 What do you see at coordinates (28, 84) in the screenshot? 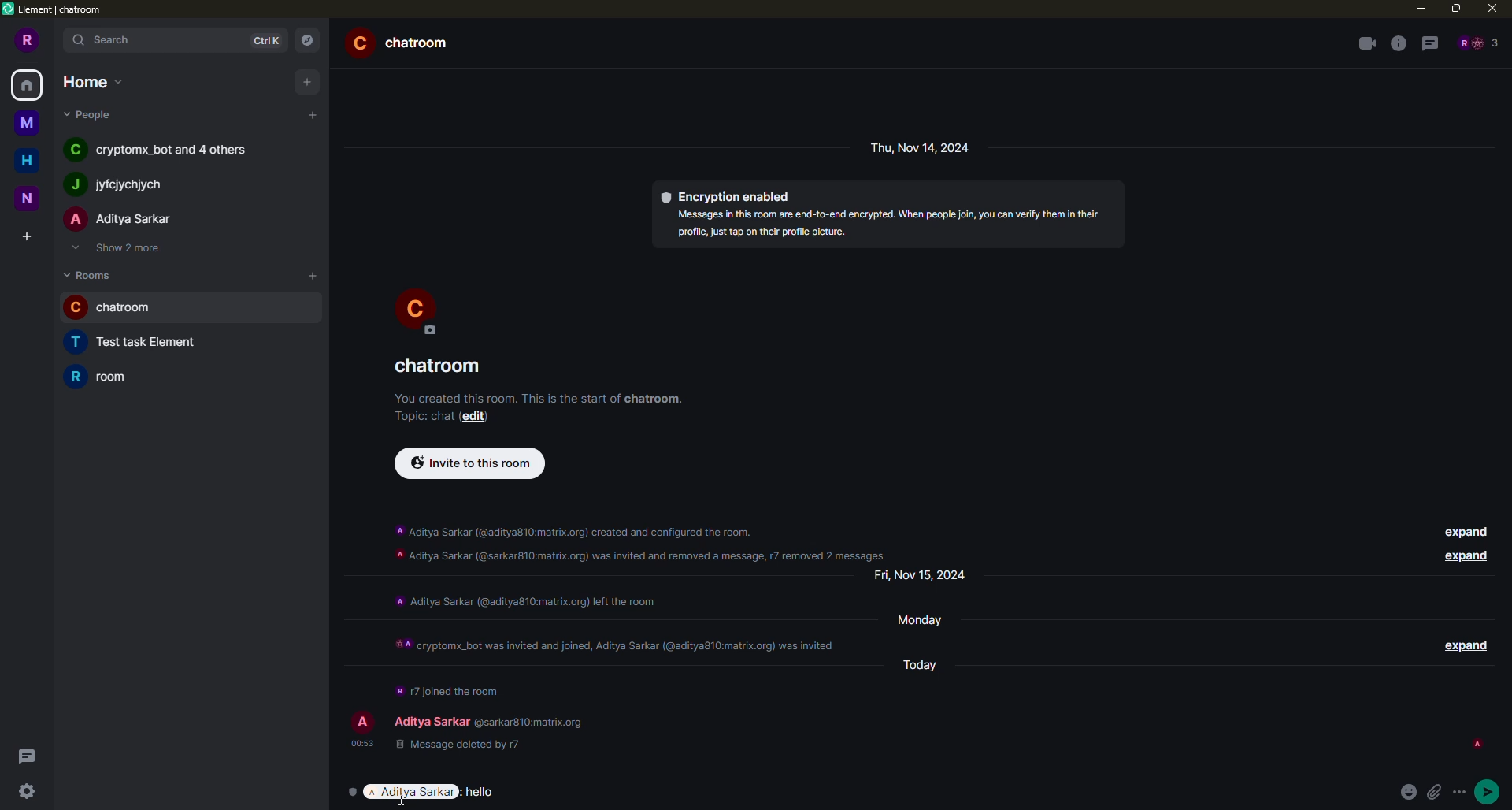
I see `home` at bounding box center [28, 84].